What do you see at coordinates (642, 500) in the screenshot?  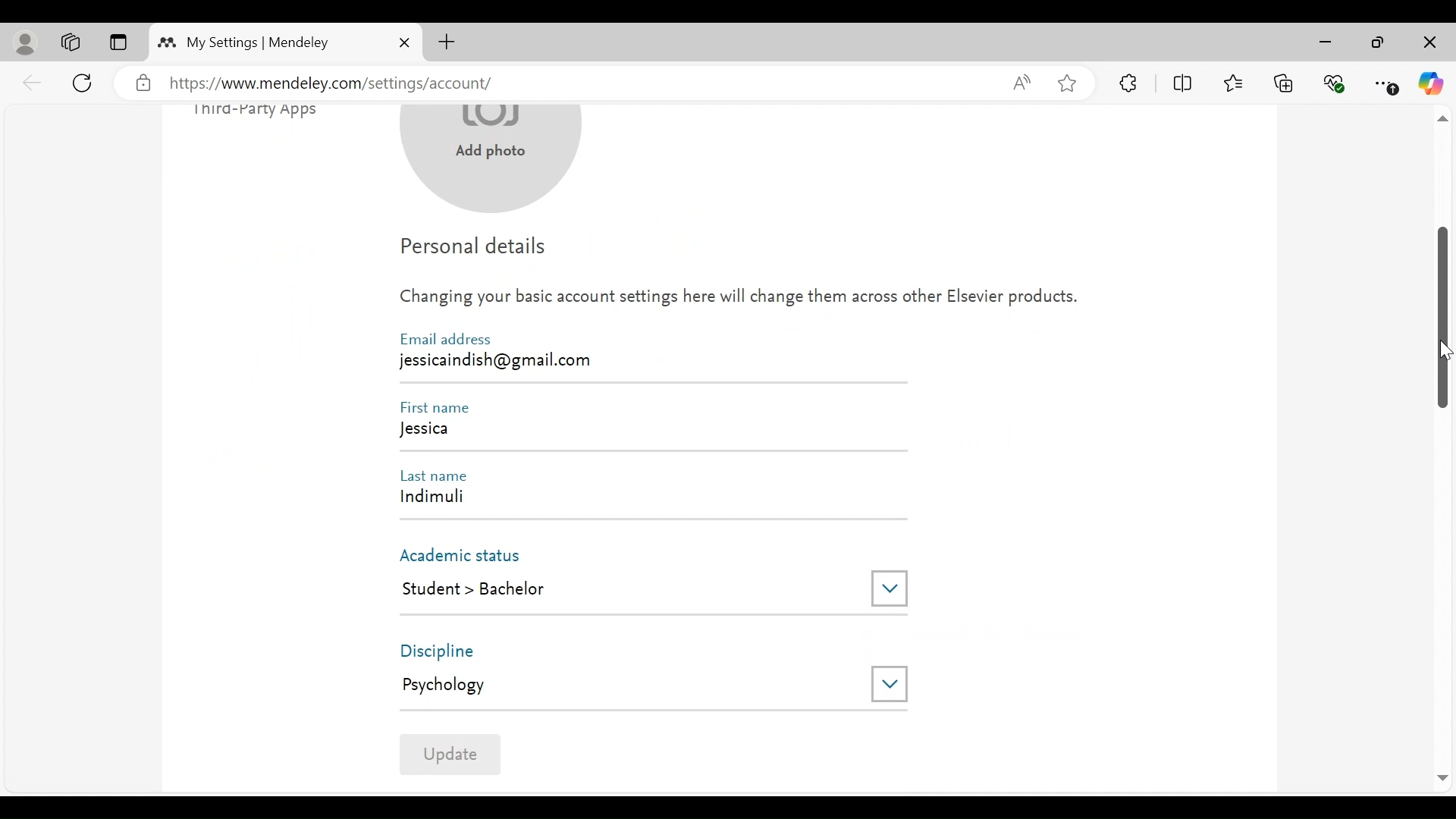 I see `indimuli` at bounding box center [642, 500].